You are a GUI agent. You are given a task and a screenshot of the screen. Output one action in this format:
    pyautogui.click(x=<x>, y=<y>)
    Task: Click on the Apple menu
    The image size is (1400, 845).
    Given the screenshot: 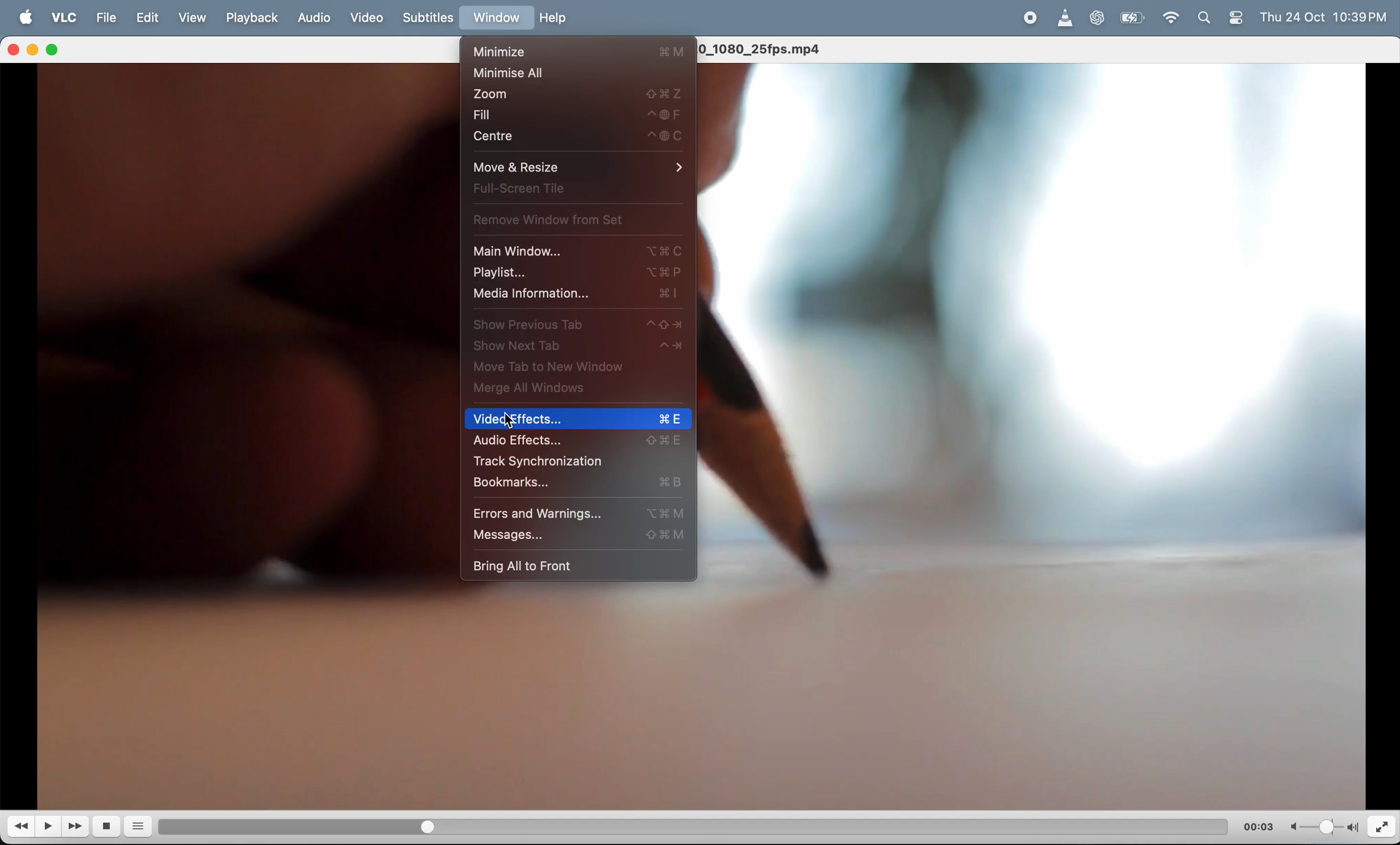 What is the action you would take?
    pyautogui.click(x=27, y=18)
    